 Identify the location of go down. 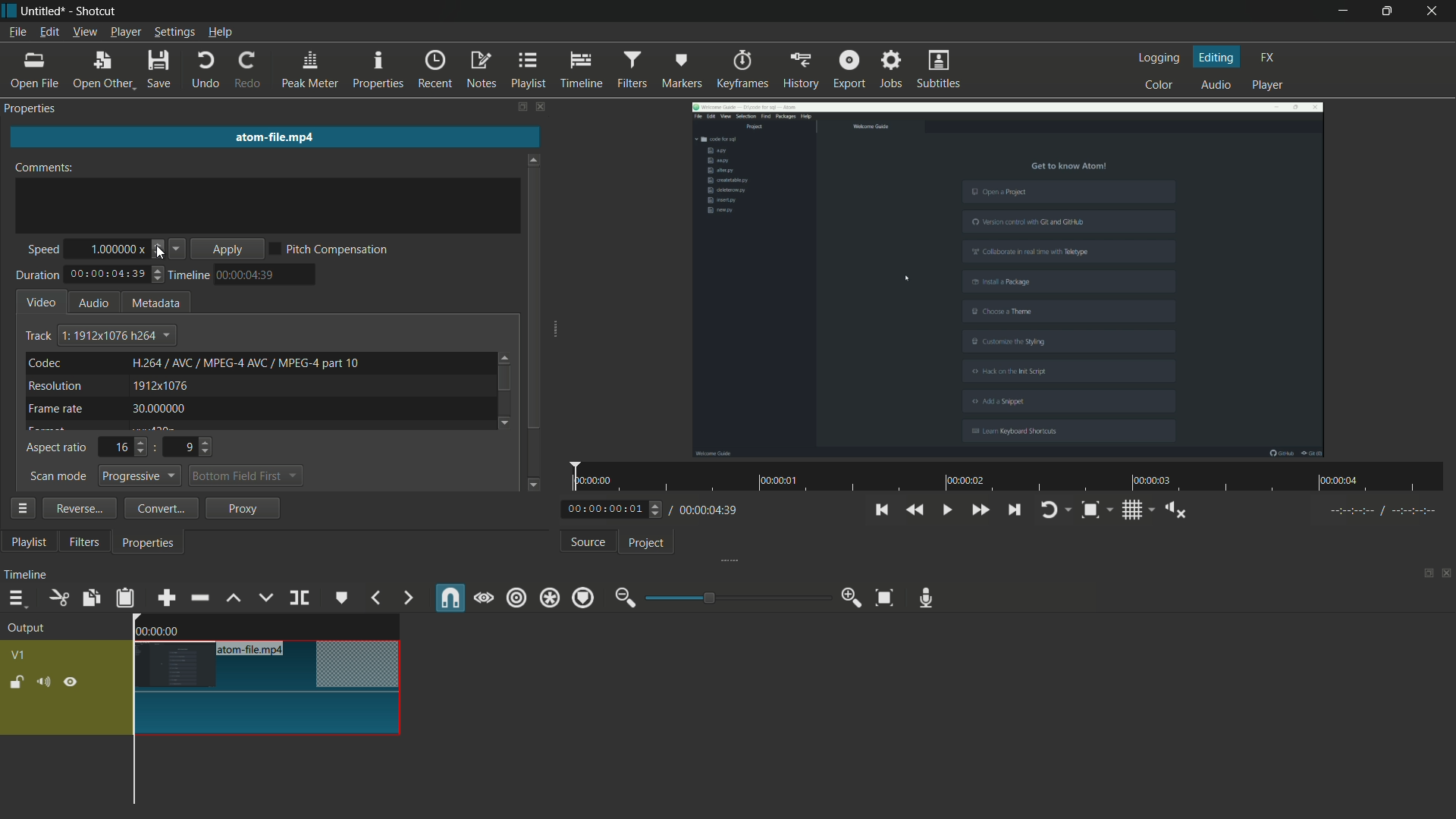
(535, 482).